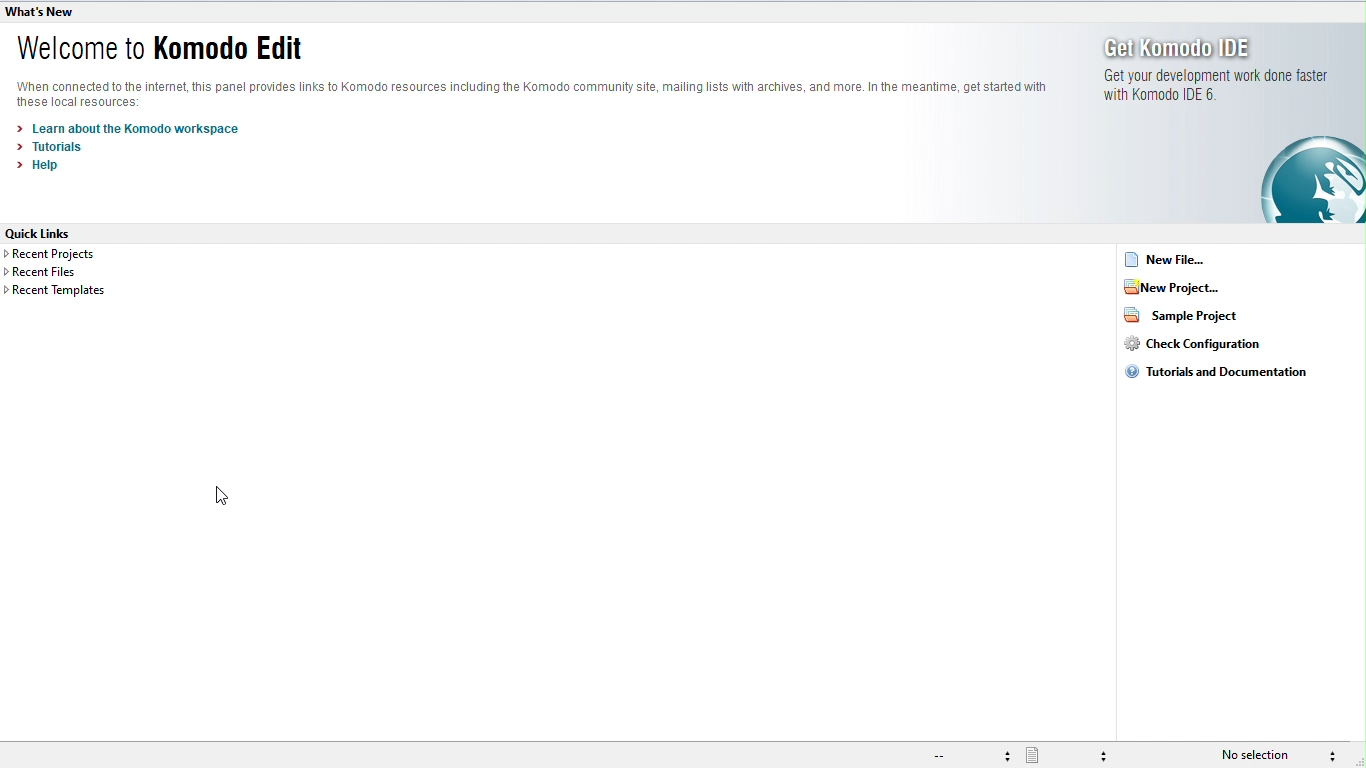  Describe the element at coordinates (1310, 184) in the screenshot. I see `globe icon` at that location.